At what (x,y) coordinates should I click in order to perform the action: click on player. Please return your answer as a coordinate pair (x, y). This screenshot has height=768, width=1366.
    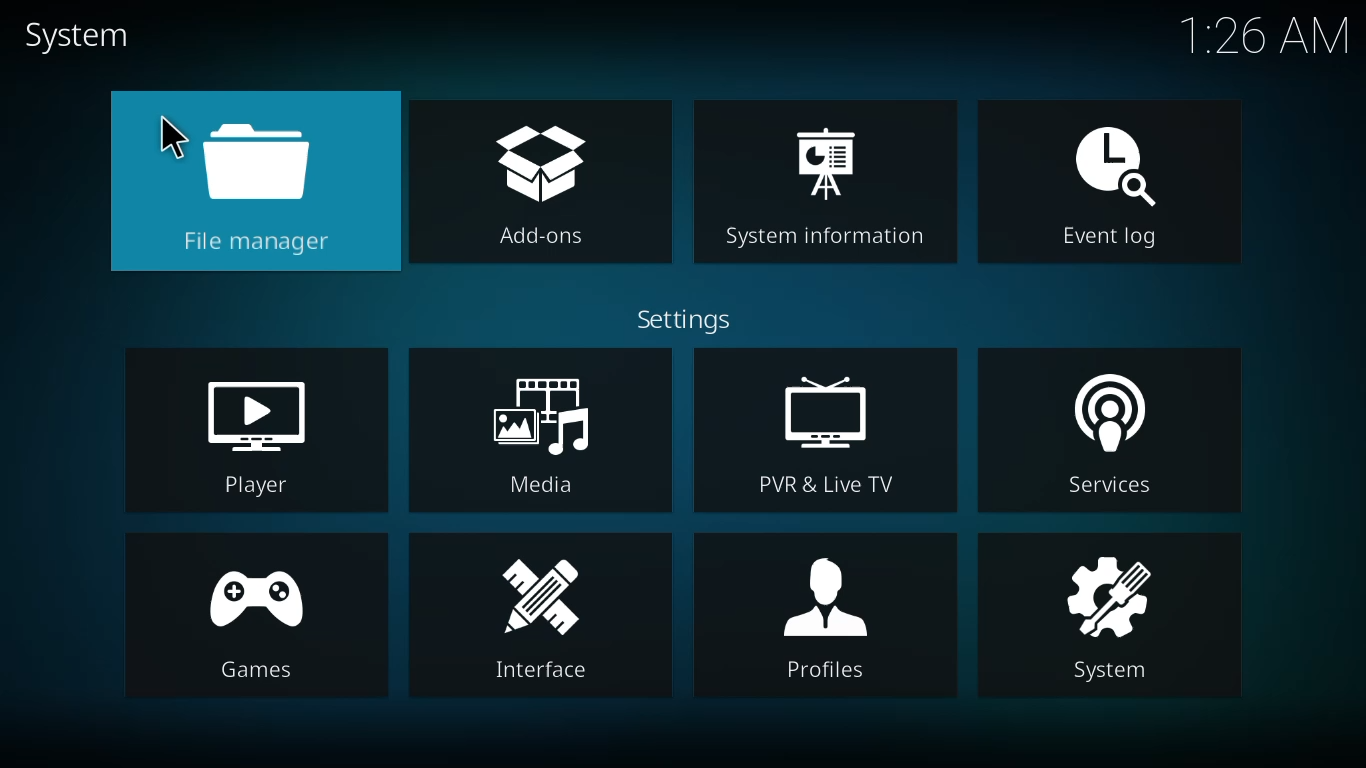
    Looking at the image, I should click on (250, 434).